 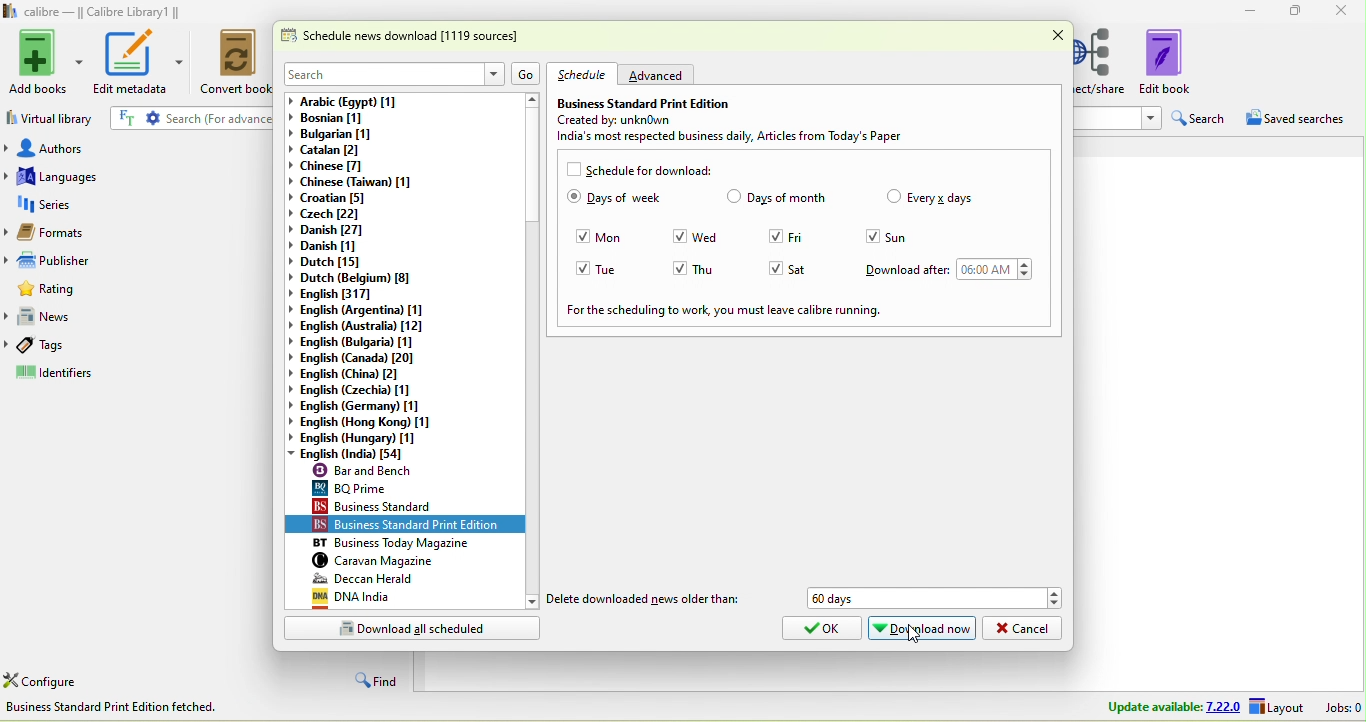 I want to click on arabic (egypt) [1], so click(x=402, y=101).